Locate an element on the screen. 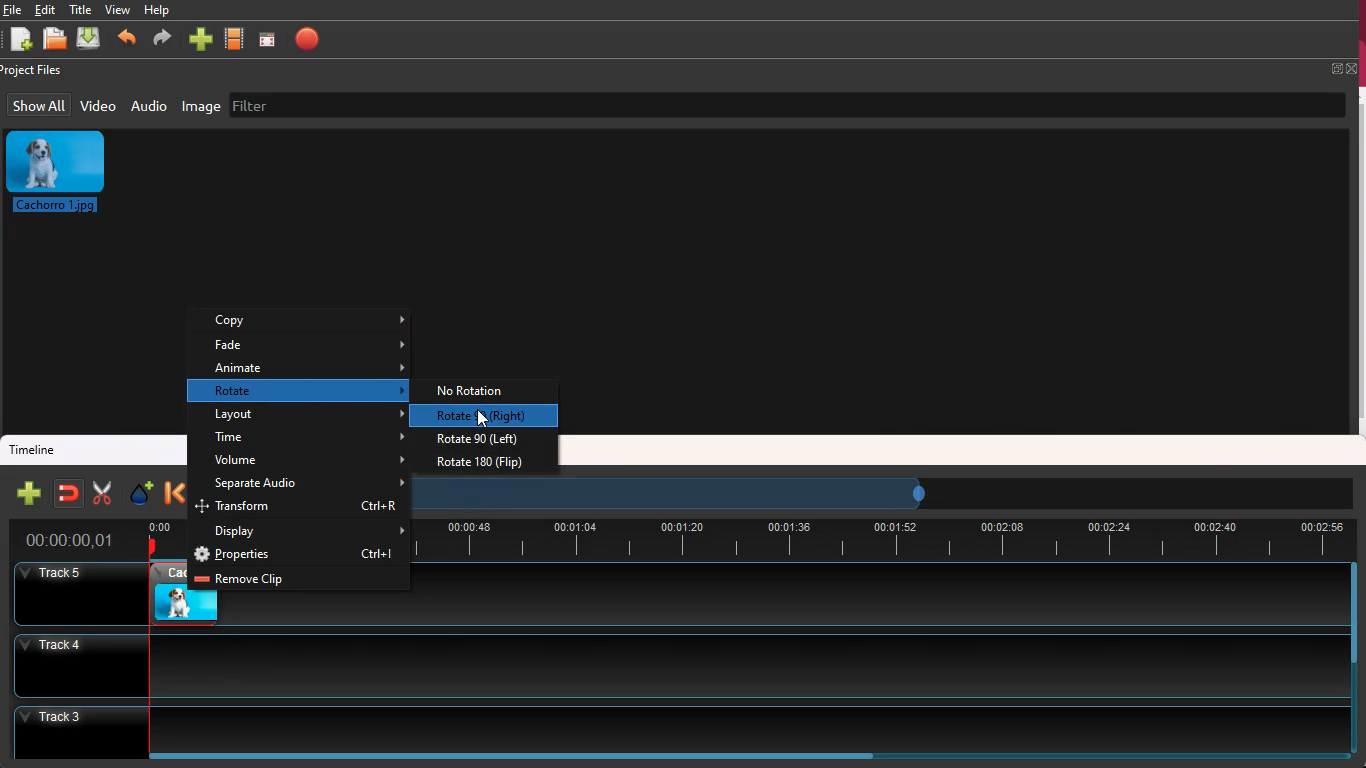  display is located at coordinates (300, 532).